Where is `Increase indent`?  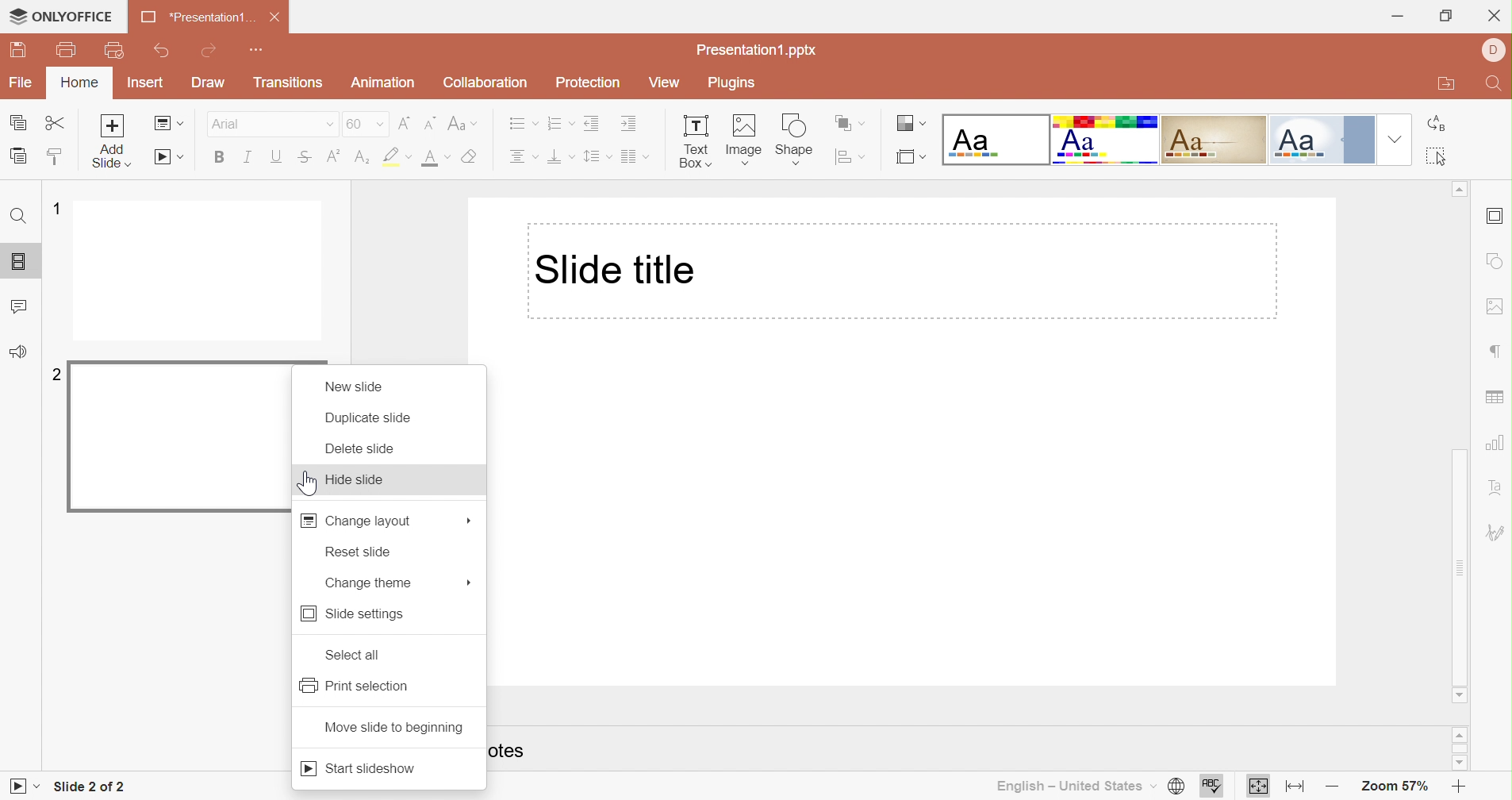 Increase indent is located at coordinates (627, 124).